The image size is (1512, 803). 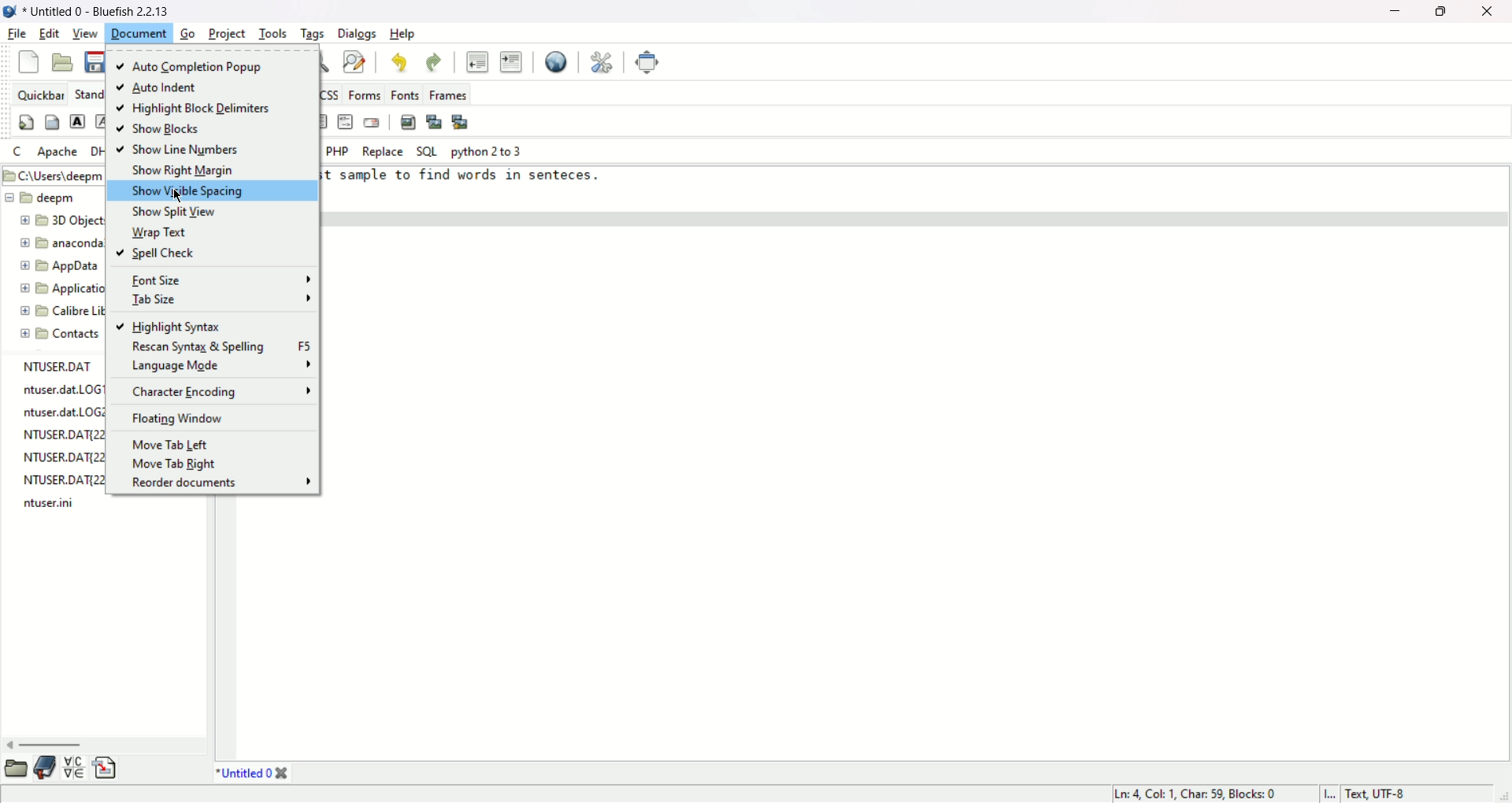 What do you see at coordinates (173, 87) in the screenshot?
I see `auto indent` at bounding box center [173, 87].